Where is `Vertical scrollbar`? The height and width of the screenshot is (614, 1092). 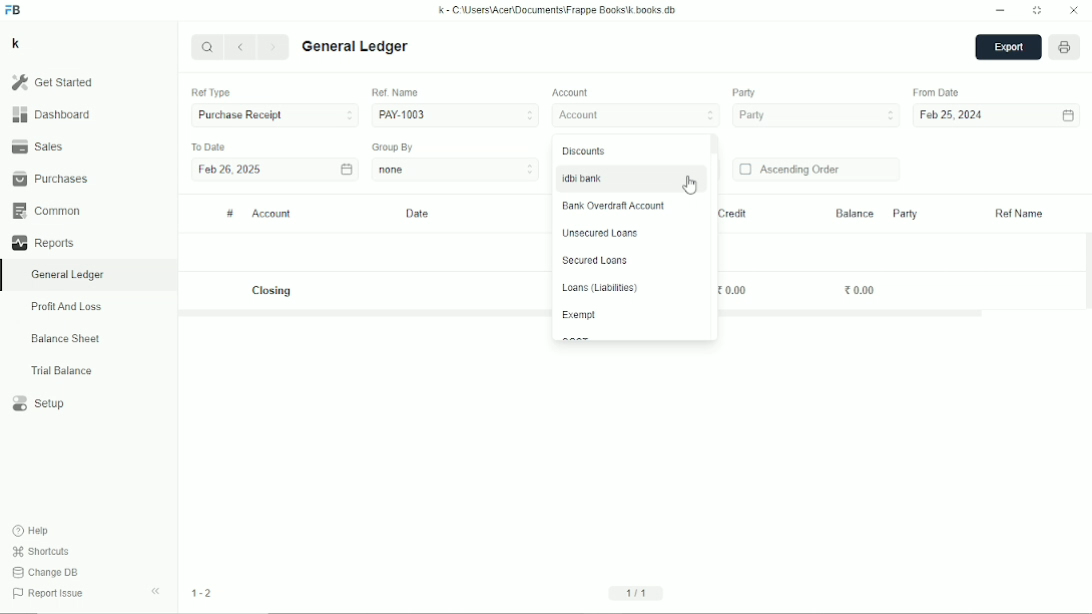
Vertical scrollbar is located at coordinates (715, 146).